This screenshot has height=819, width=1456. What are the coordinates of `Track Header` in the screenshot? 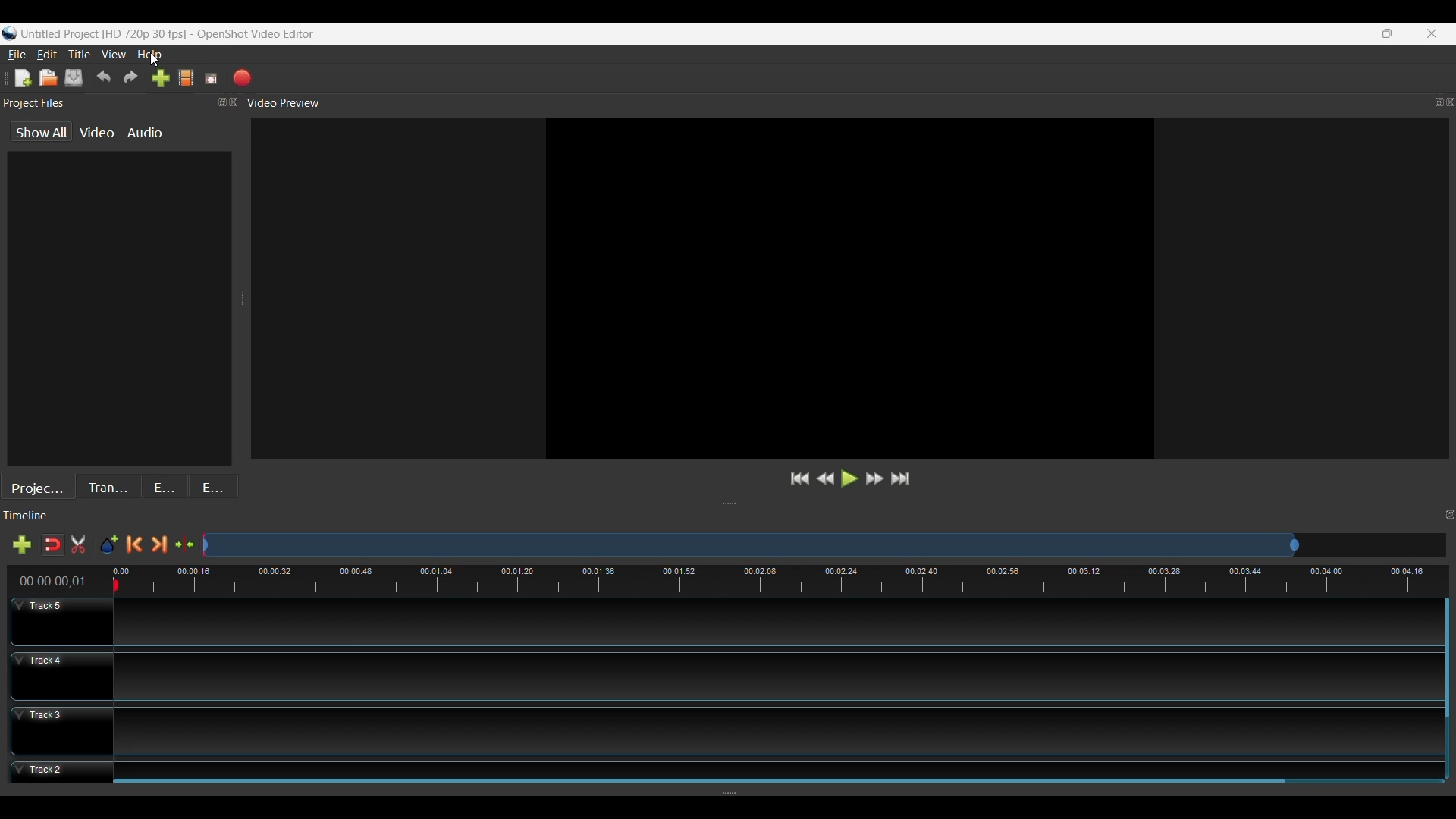 It's located at (63, 622).